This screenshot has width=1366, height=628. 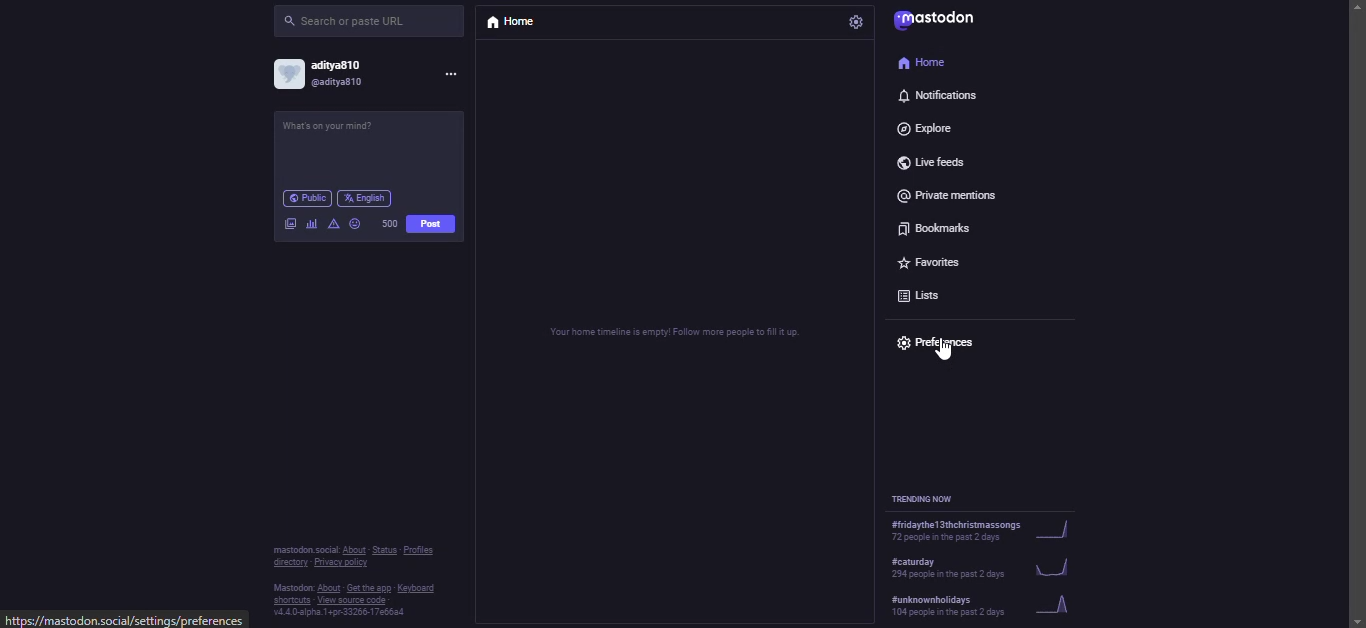 What do you see at coordinates (944, 340) in the screenshot?
I see `preferences` at bounding box center [944, 340].